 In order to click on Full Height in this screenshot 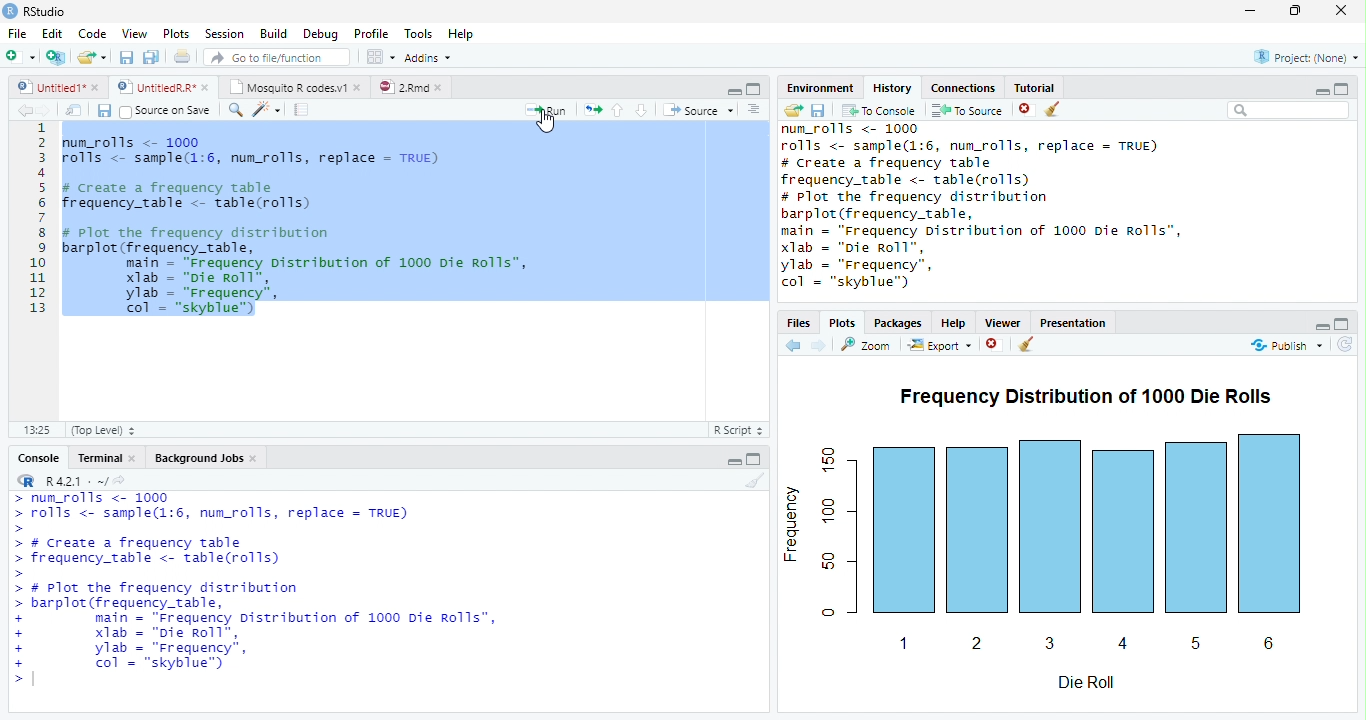, I will do `click(1344, 89)`.